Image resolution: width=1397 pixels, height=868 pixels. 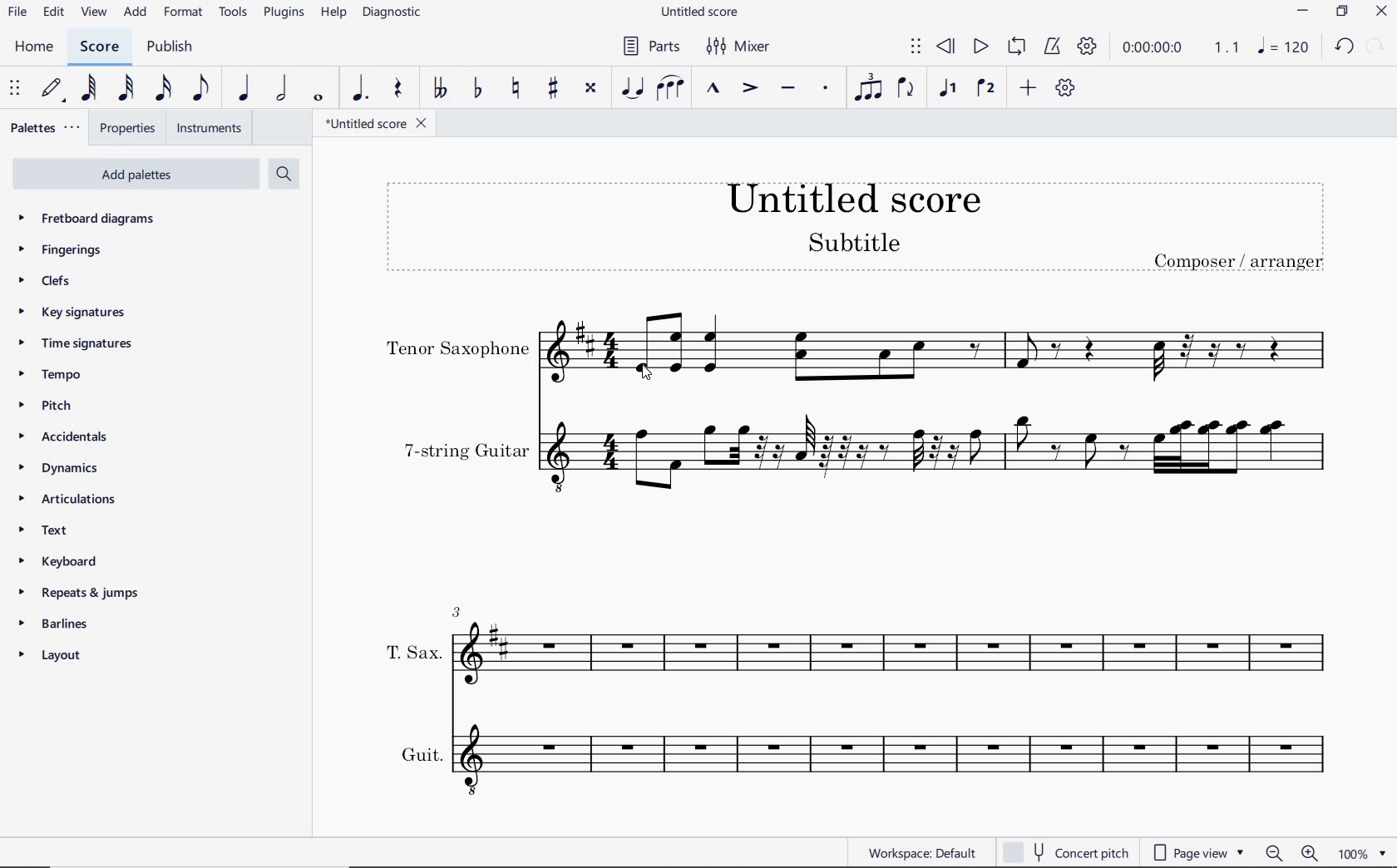 What do you see at coordinates (1284, 47) in the screenshot?
I see `NOTE` at bounding box center [1284, 47].